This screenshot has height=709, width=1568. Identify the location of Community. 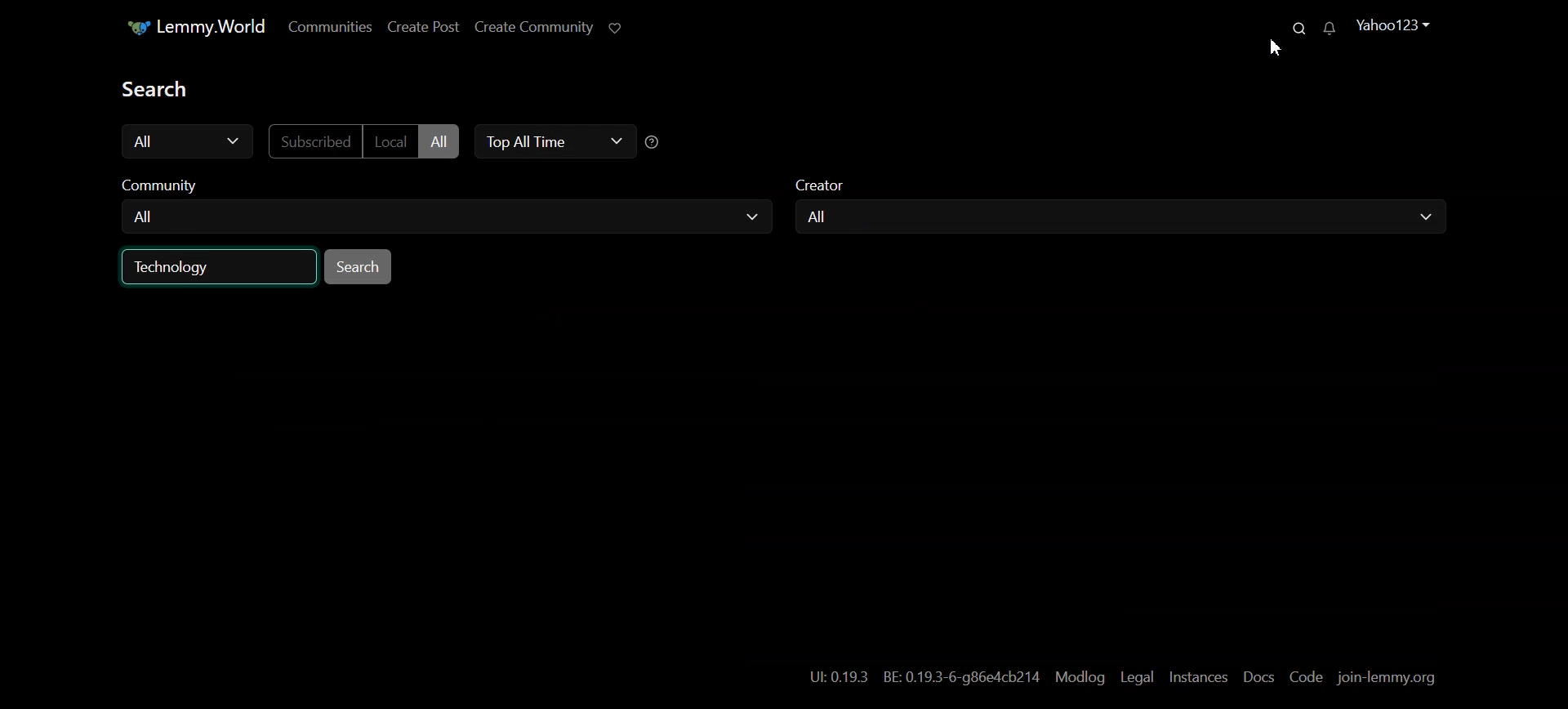
(162, 181).